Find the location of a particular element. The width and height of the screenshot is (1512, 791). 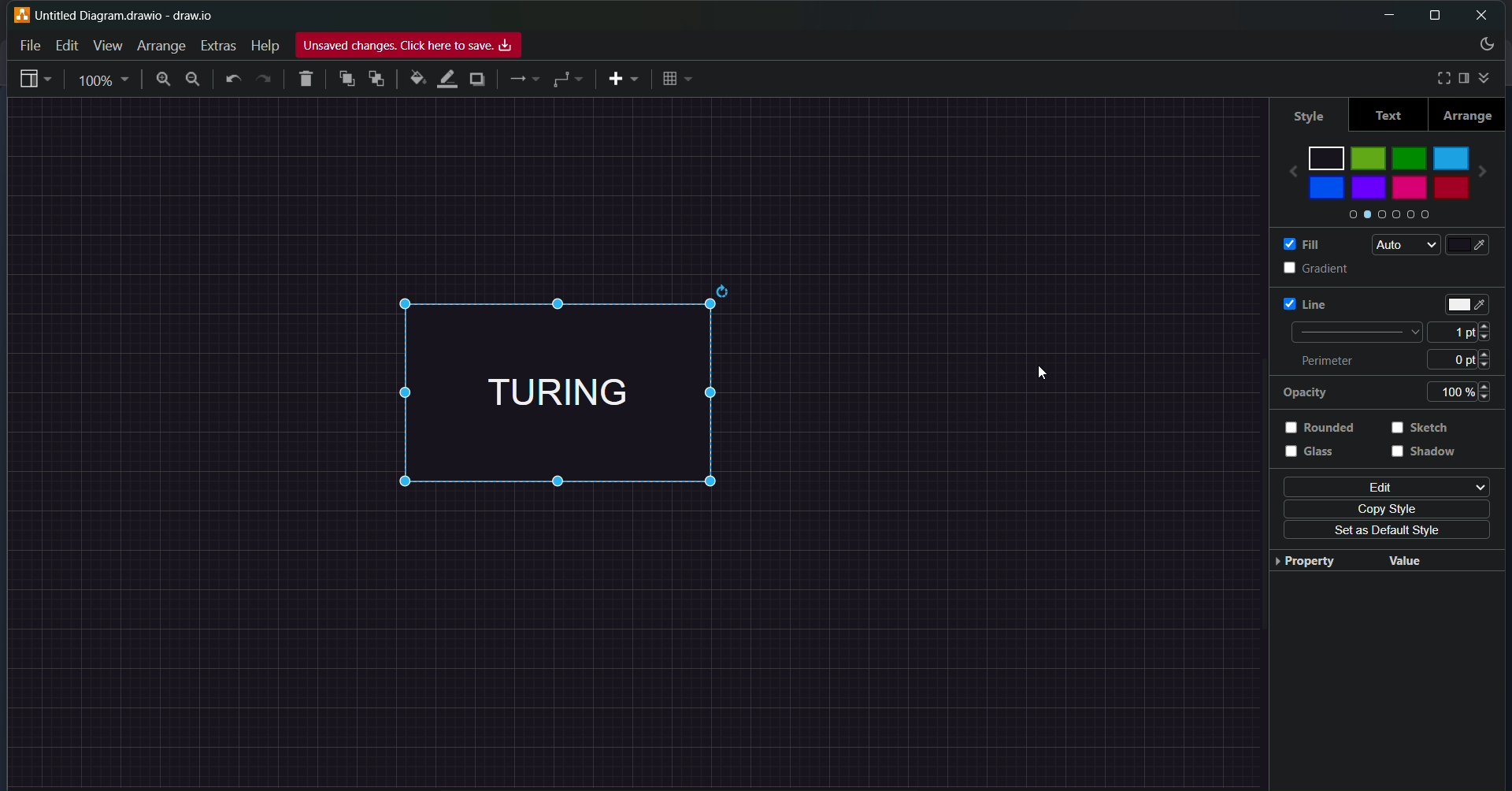

sidebar is located at coordinates (1463, 78).